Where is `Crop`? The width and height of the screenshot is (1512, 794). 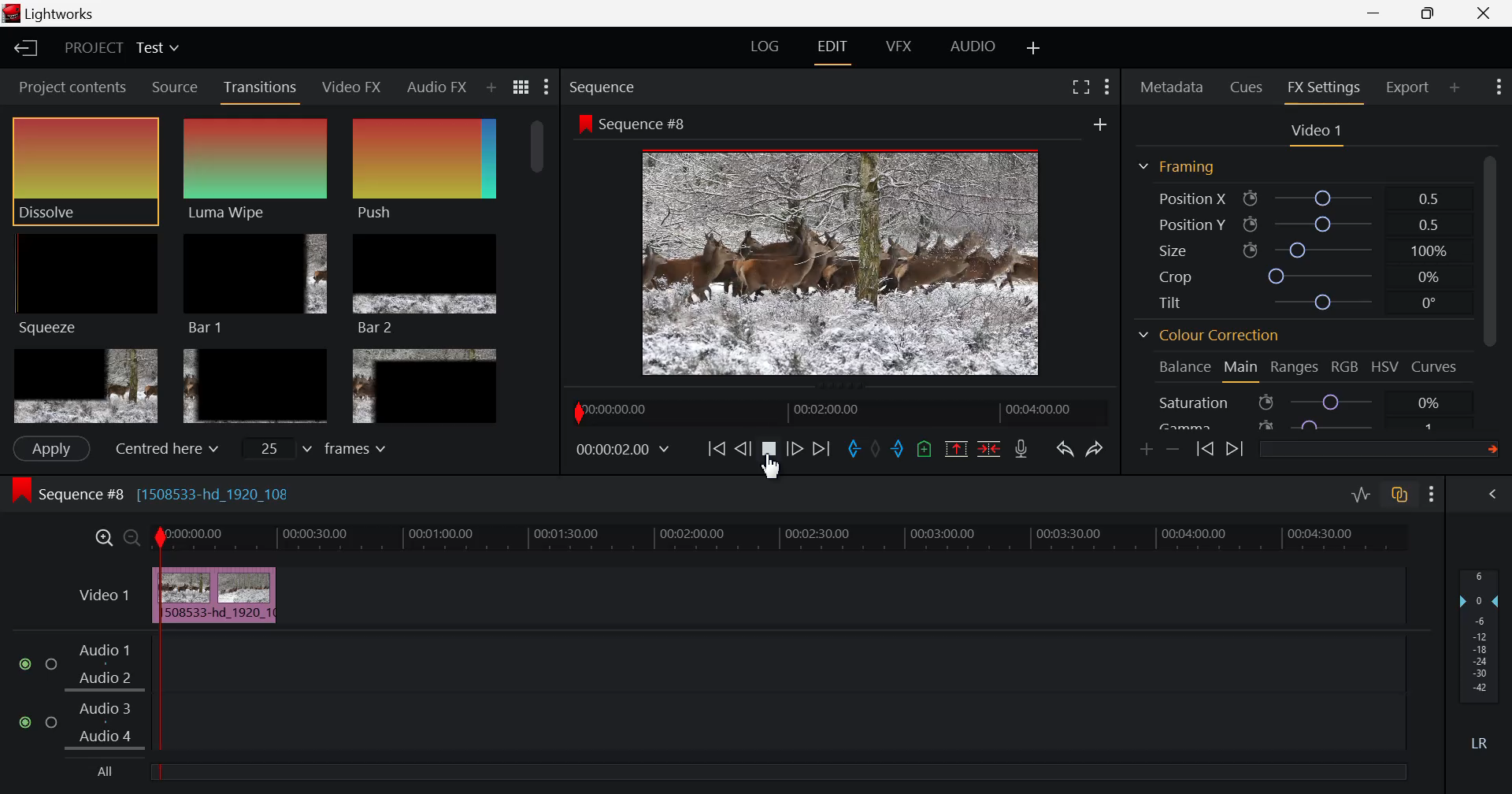 Crop is located at coordinates (1300, 276).